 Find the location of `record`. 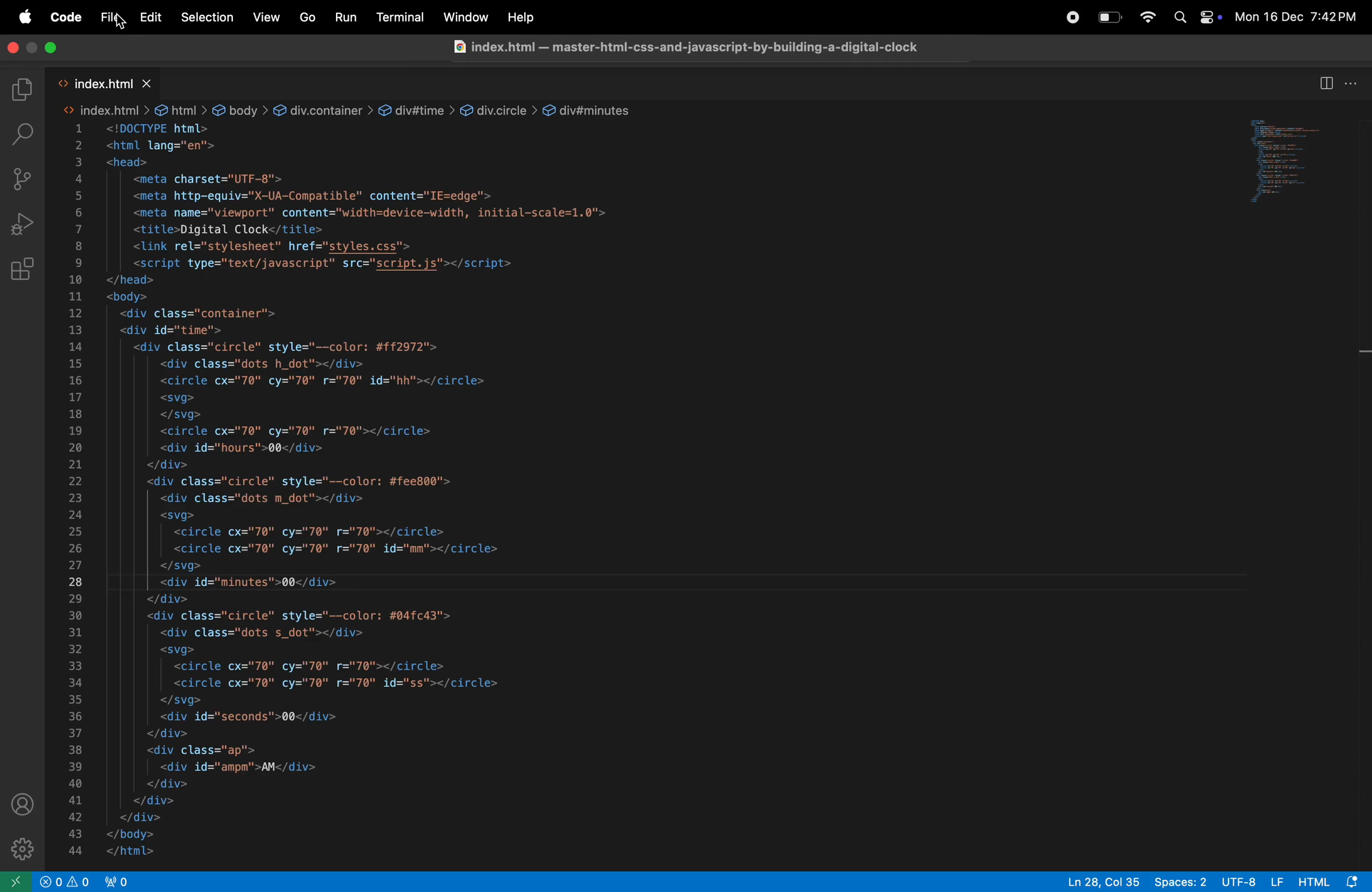

record is located at coordinates (1072, 18).